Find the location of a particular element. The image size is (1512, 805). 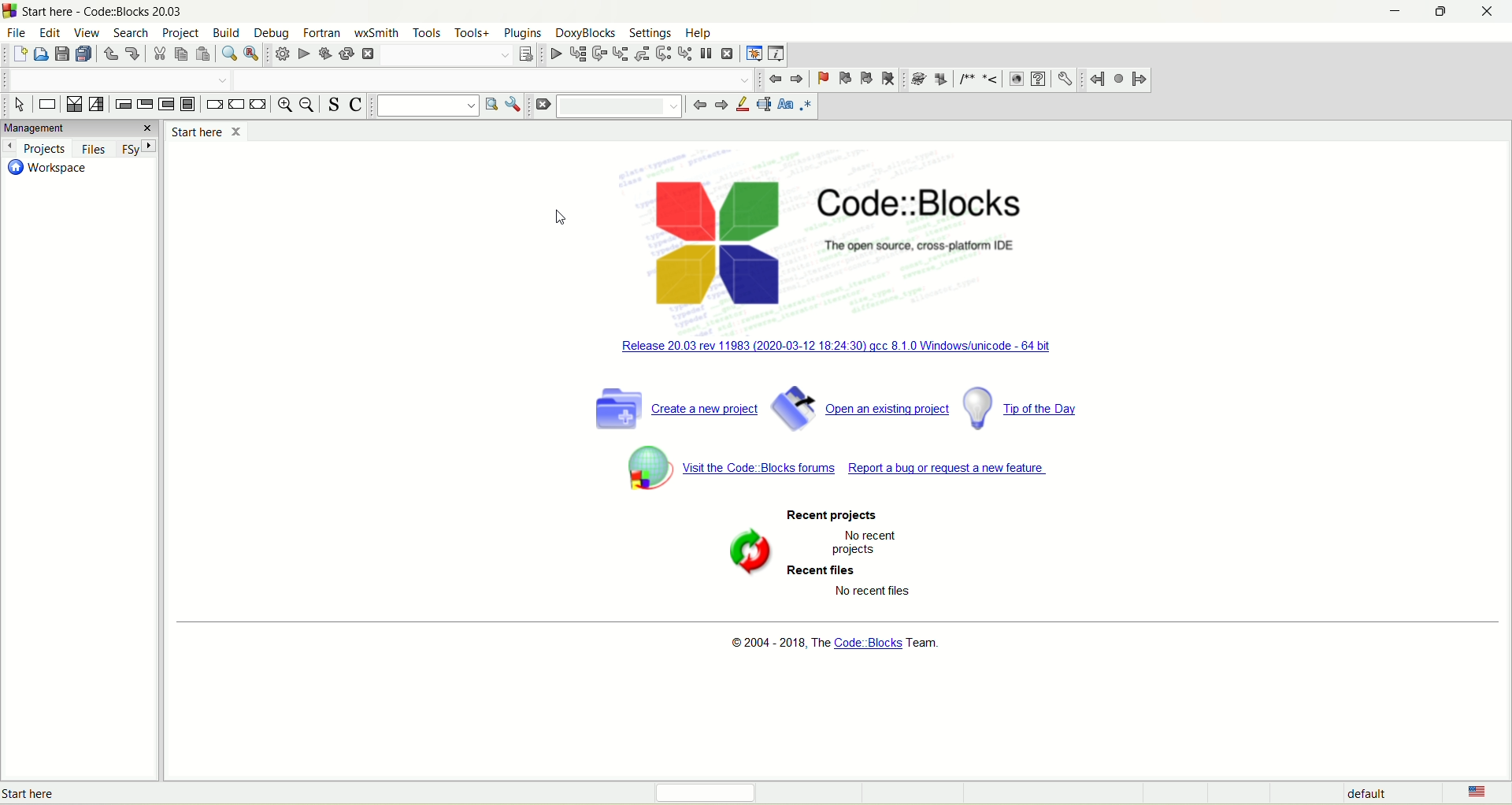

copy is located at coordinates (180, 54).